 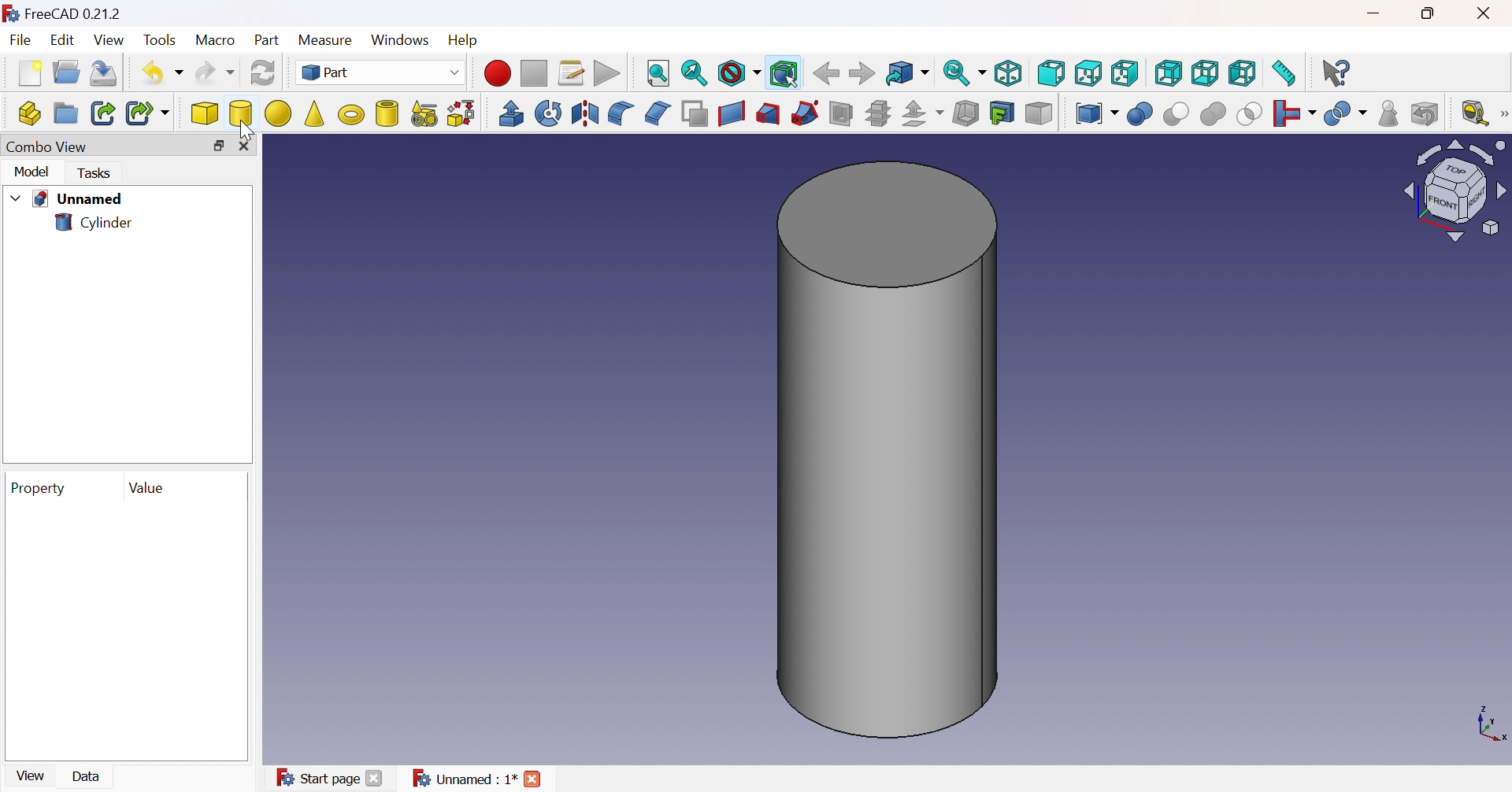 I want to click on Windows, so click(x=402, y=40).